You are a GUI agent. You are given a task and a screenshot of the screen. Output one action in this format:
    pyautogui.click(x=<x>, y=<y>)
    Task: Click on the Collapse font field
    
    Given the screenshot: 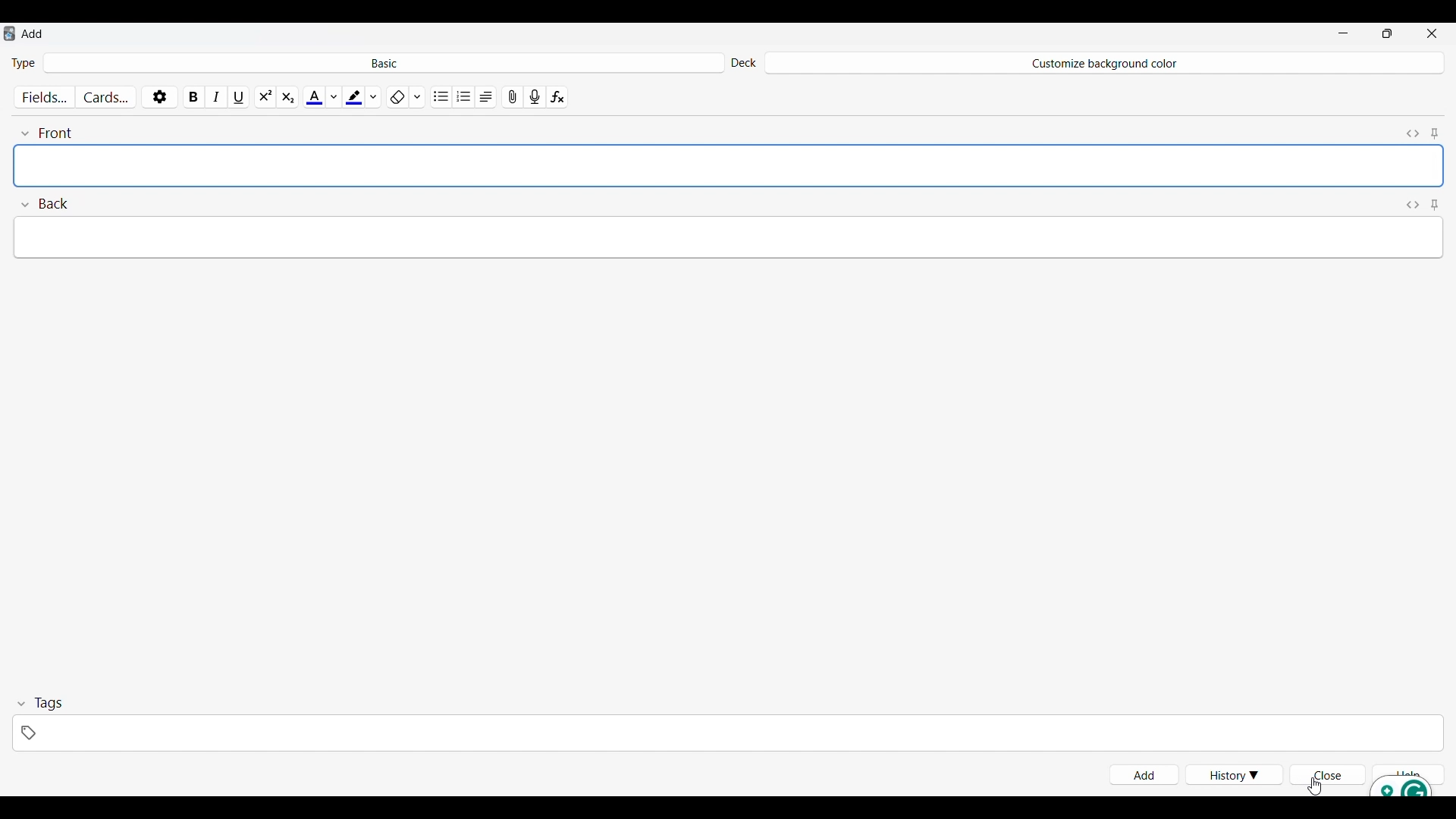 What is the action you would take?
    pyautogui.click(x=46, y=131)
    